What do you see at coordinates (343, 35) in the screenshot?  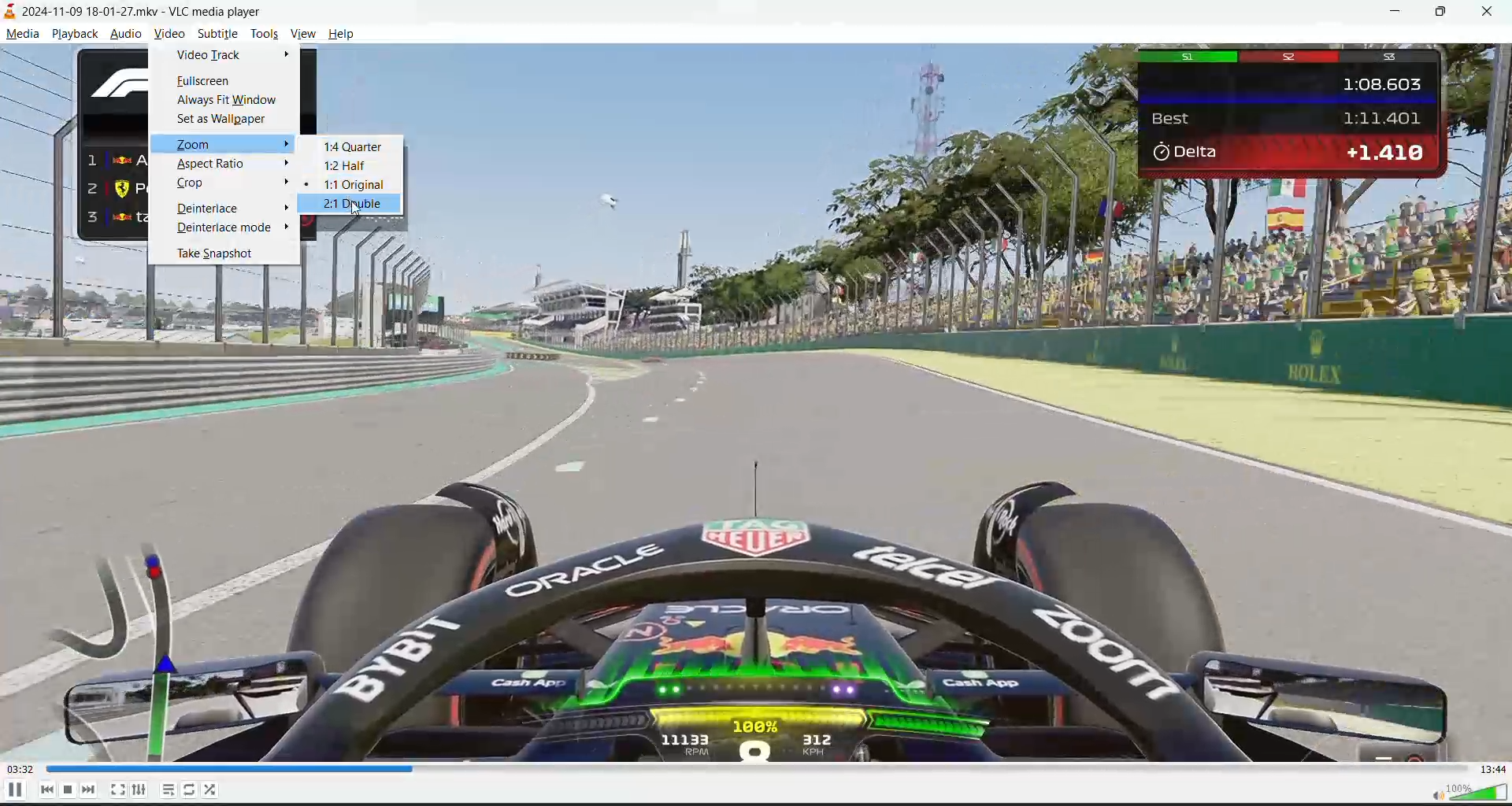 I see `help` at bounding box center [343, 35].